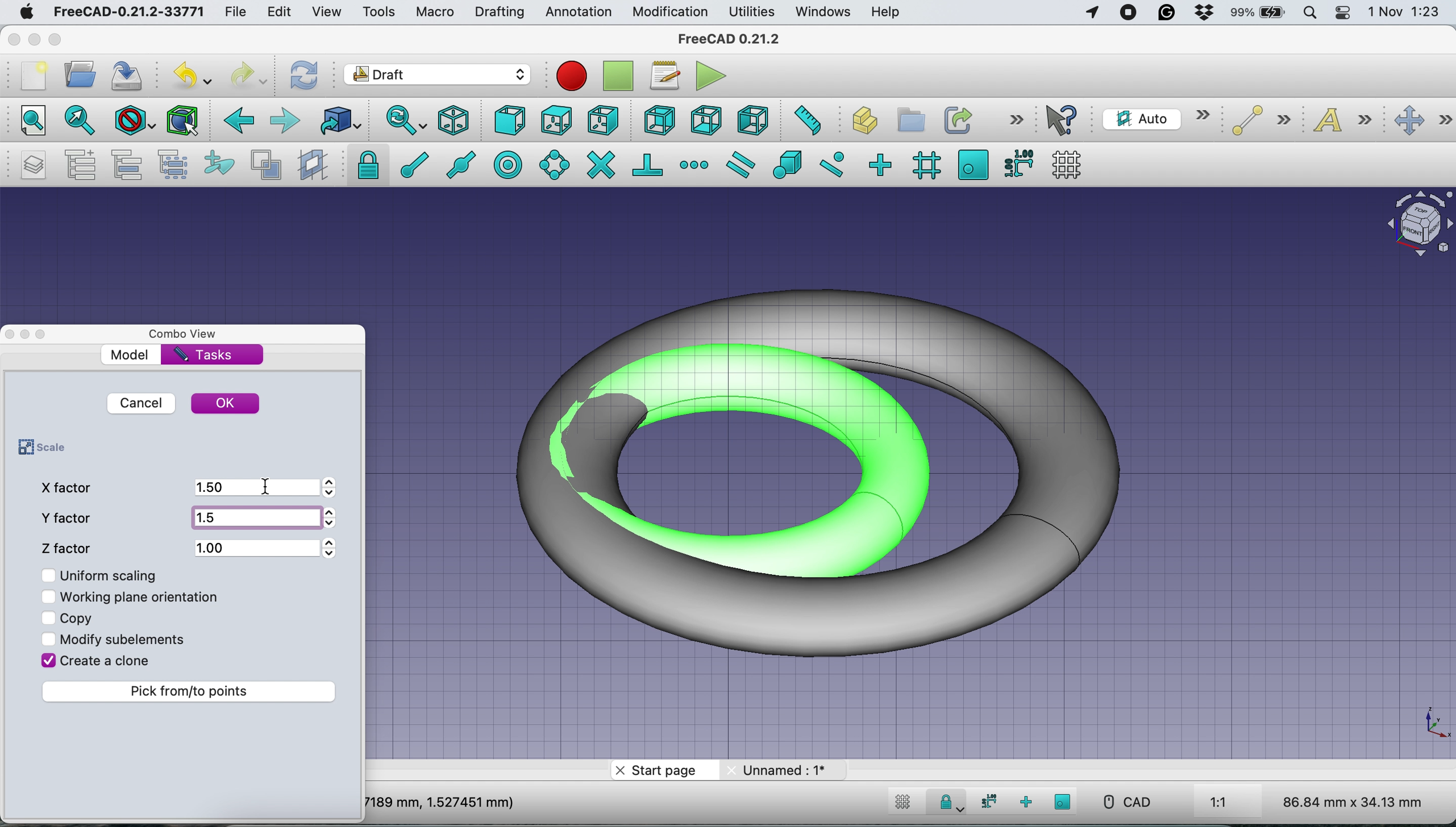 The width and height of the screenshot is (1456, 827). What do you see at coordinates (131, 74) in the screenshot?
I see `save` at bounding box center [131, 74].